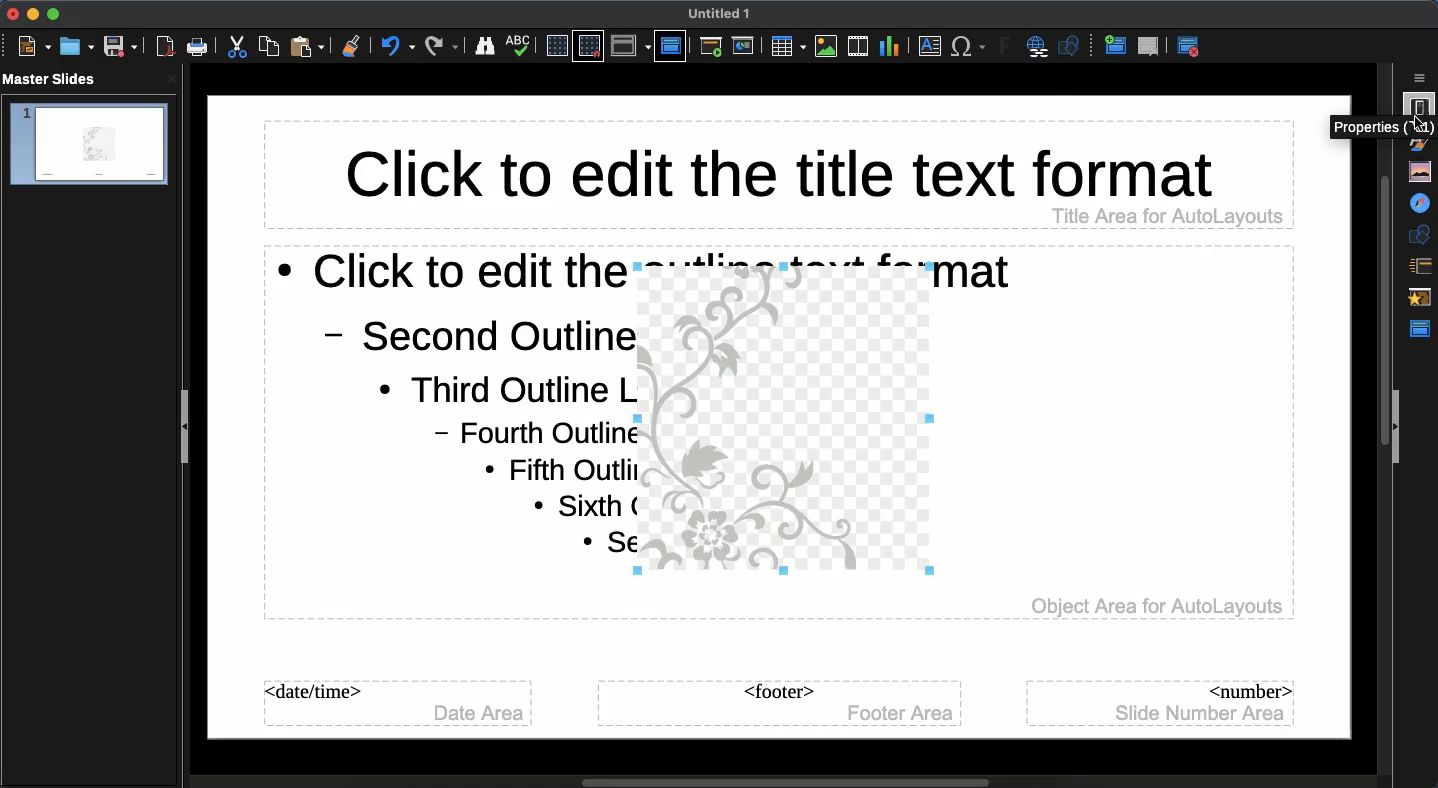 This screenshot has height=788, width=1438. I want to click on Master slide text, so click(428, 436).